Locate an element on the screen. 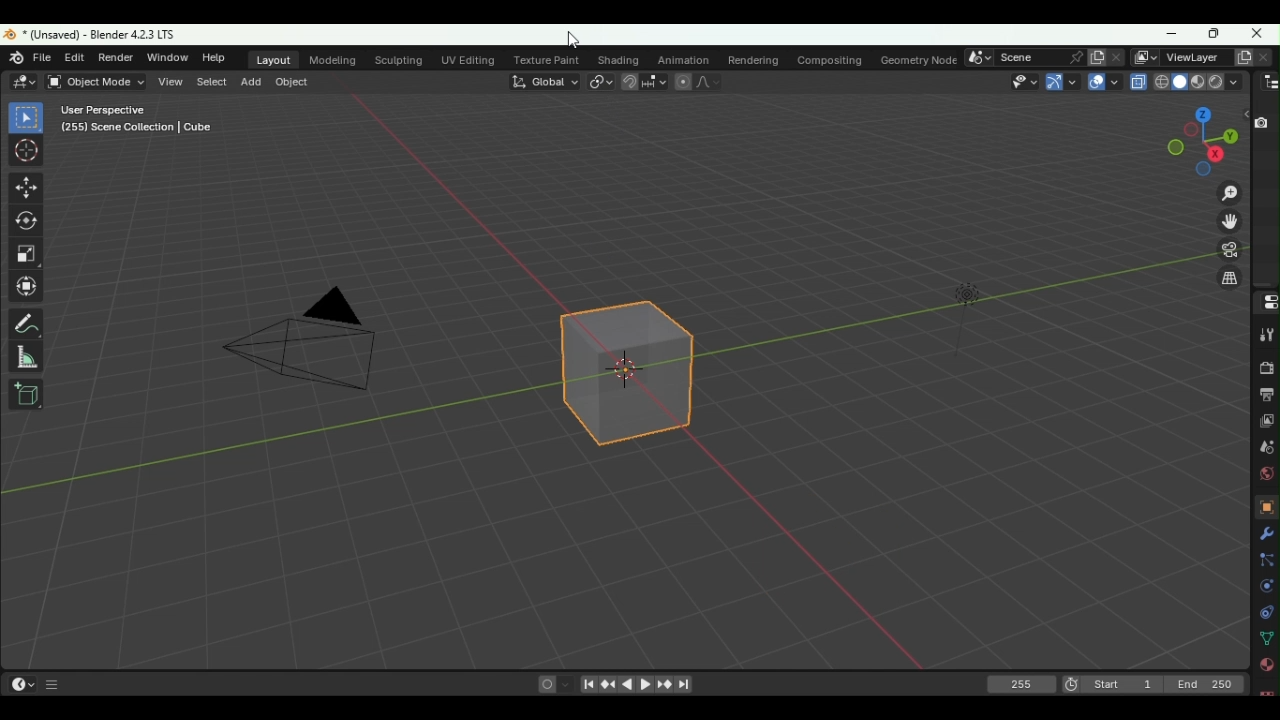 The width and height of the screenshot is (1280, 720). Transform is located at coordinates (34, 289).